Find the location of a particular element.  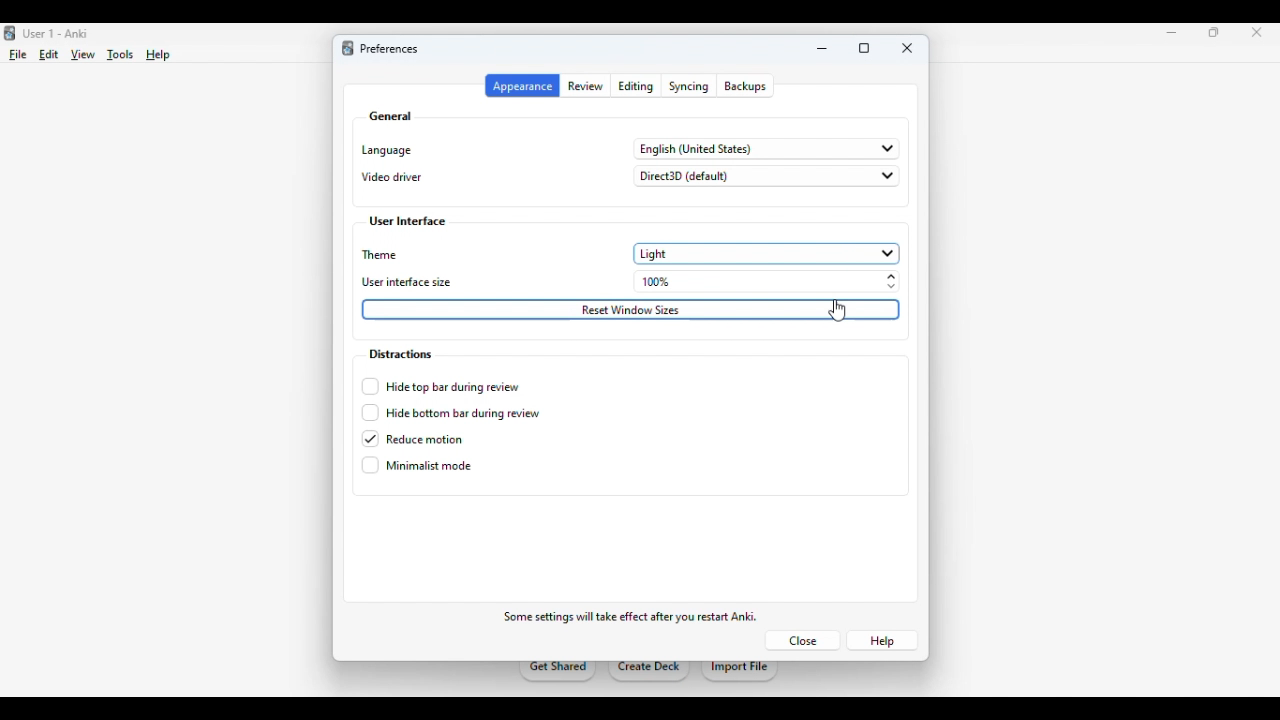

english (United States) is located at coordinates (768, 149).